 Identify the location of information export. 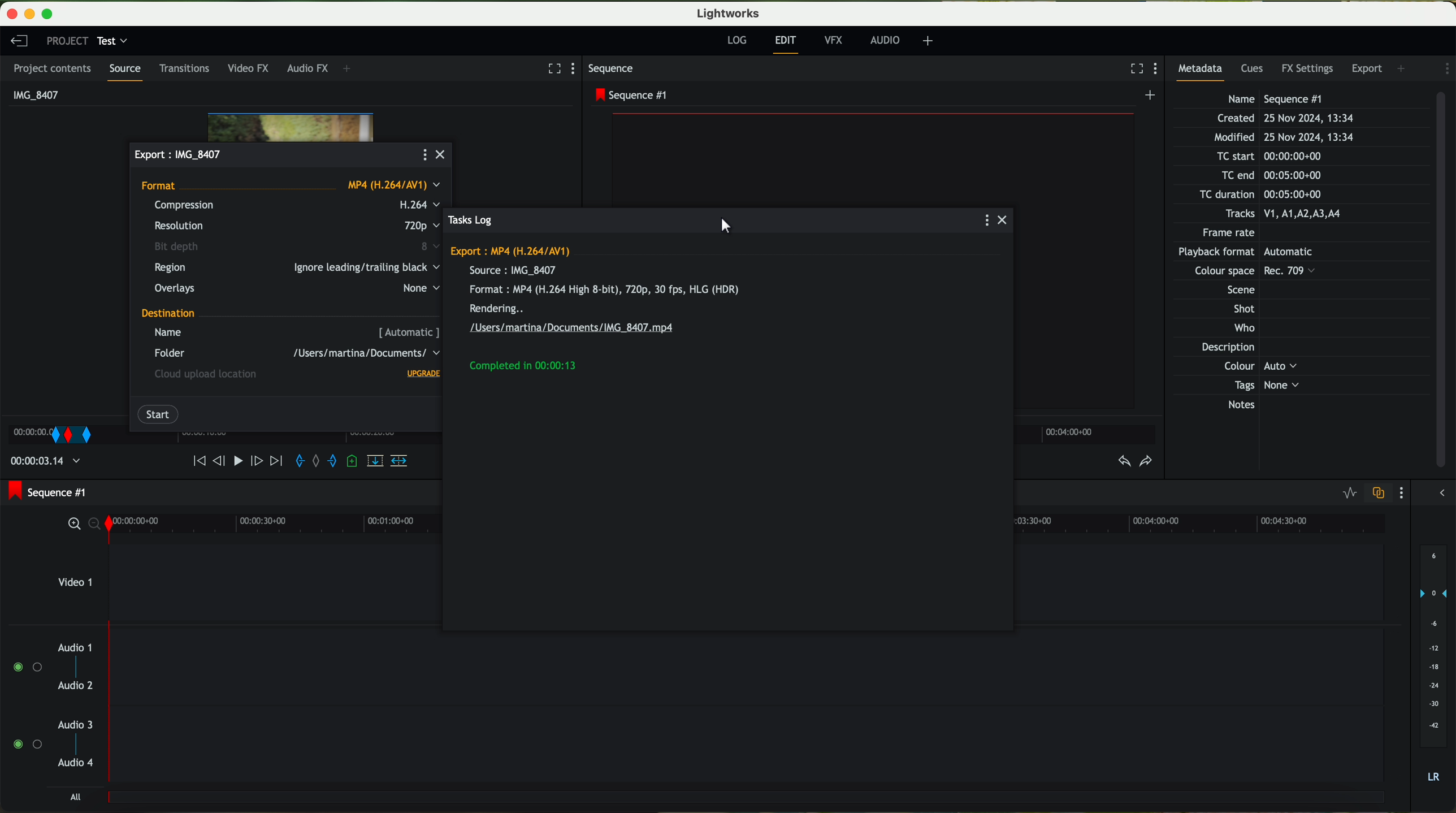
(606, 302).